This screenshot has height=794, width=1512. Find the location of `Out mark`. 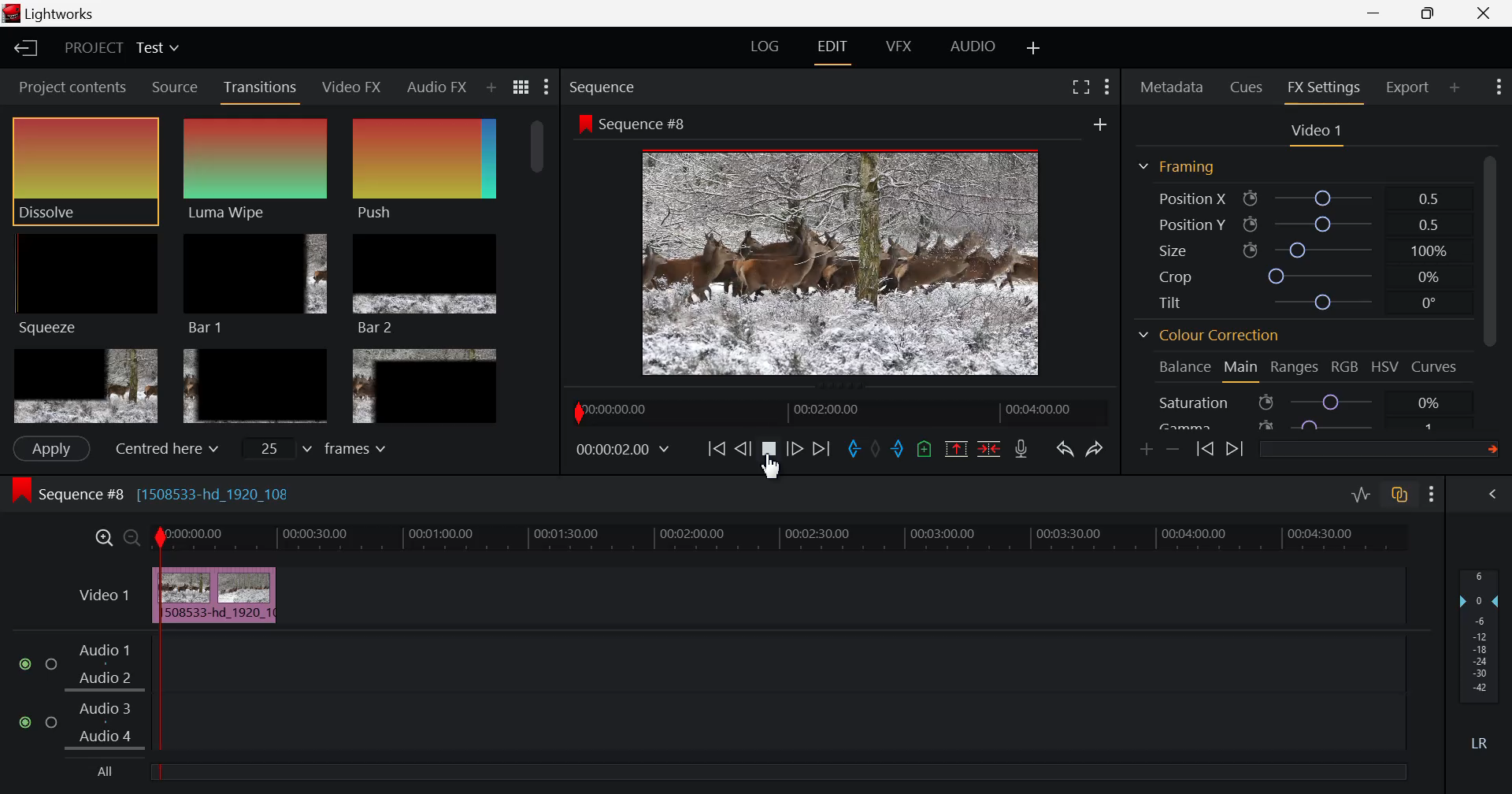

Out mark is located at coordinates (898, 450).